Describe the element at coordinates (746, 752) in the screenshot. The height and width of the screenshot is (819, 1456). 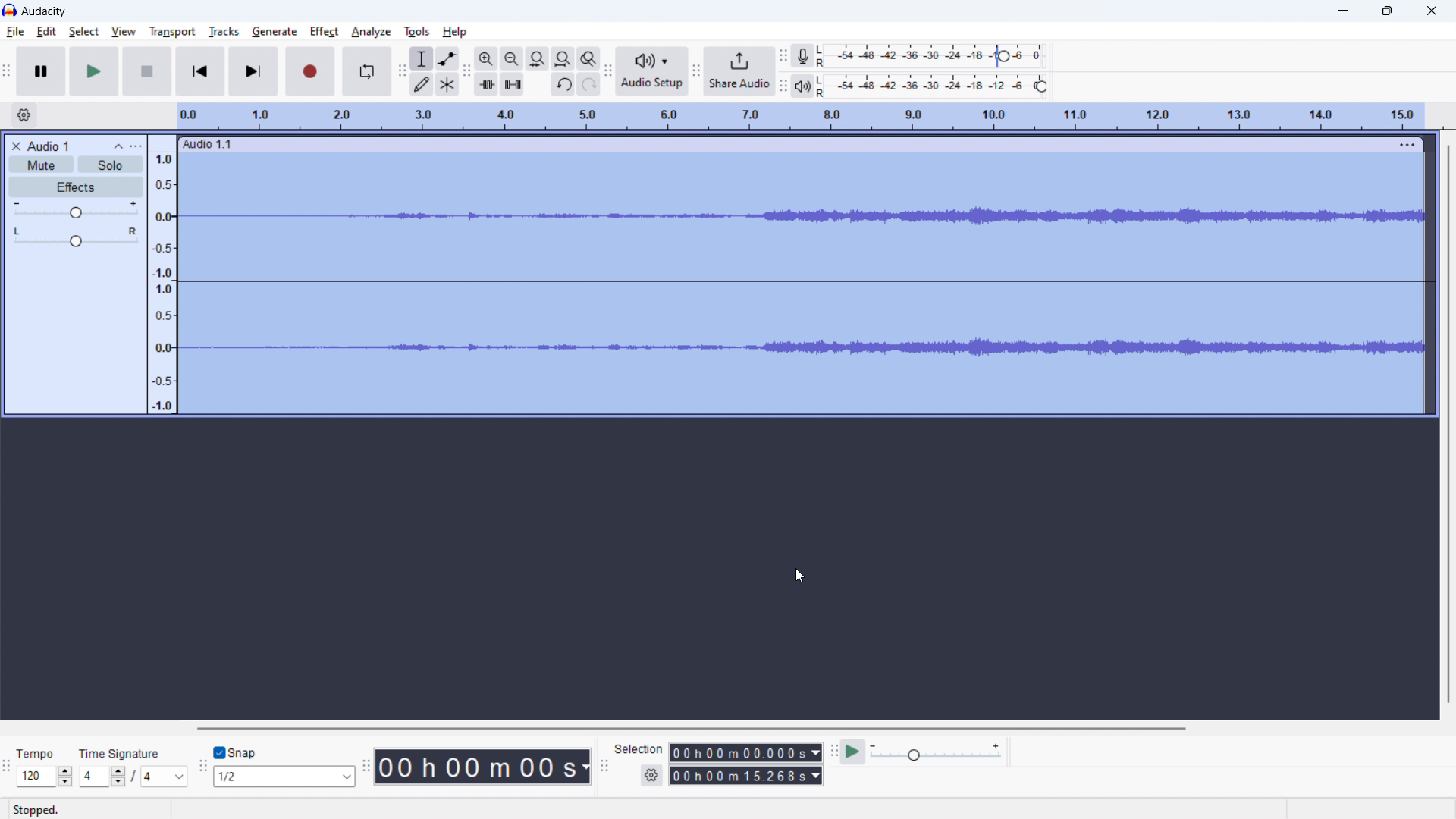
I see `start time` at that location.